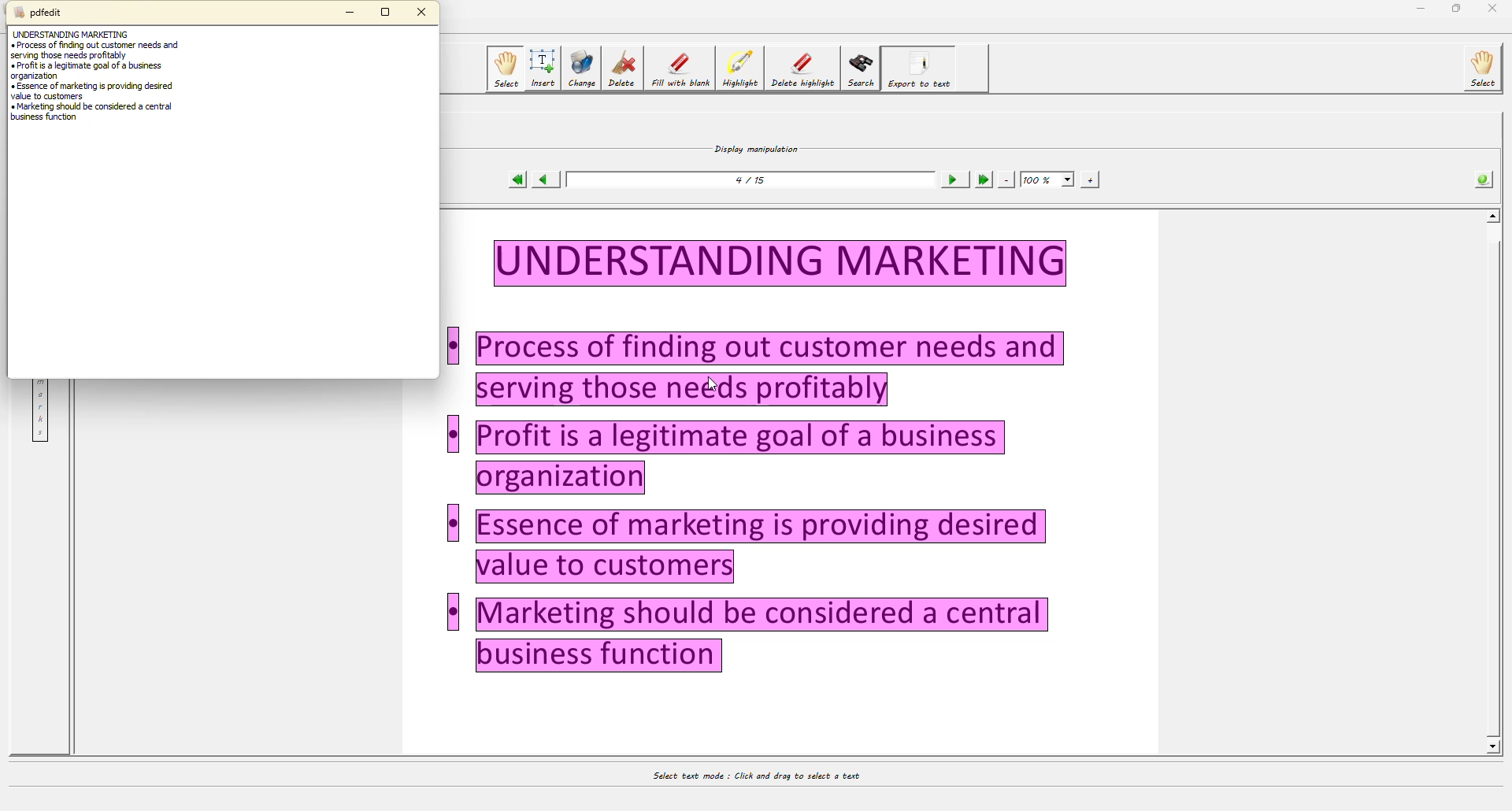 This screenshot has height=811, width=1512. What do you see at coordinates (43, 13) in the screenshot?
I see `pdfedit` at bounding box center [43, 13].